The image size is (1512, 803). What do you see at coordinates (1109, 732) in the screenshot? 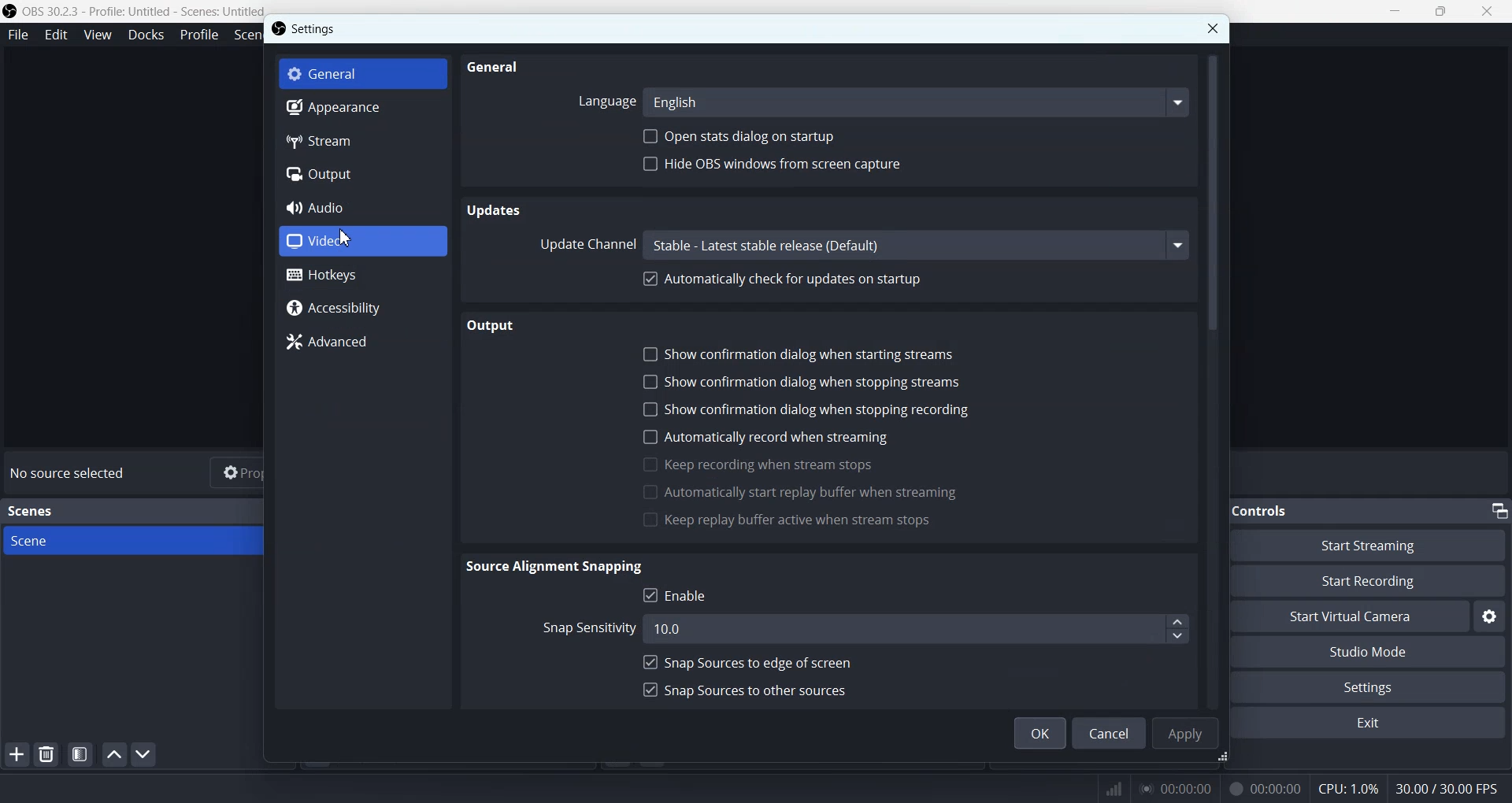
I see `Cancel` at bounding box center [1109, 732].